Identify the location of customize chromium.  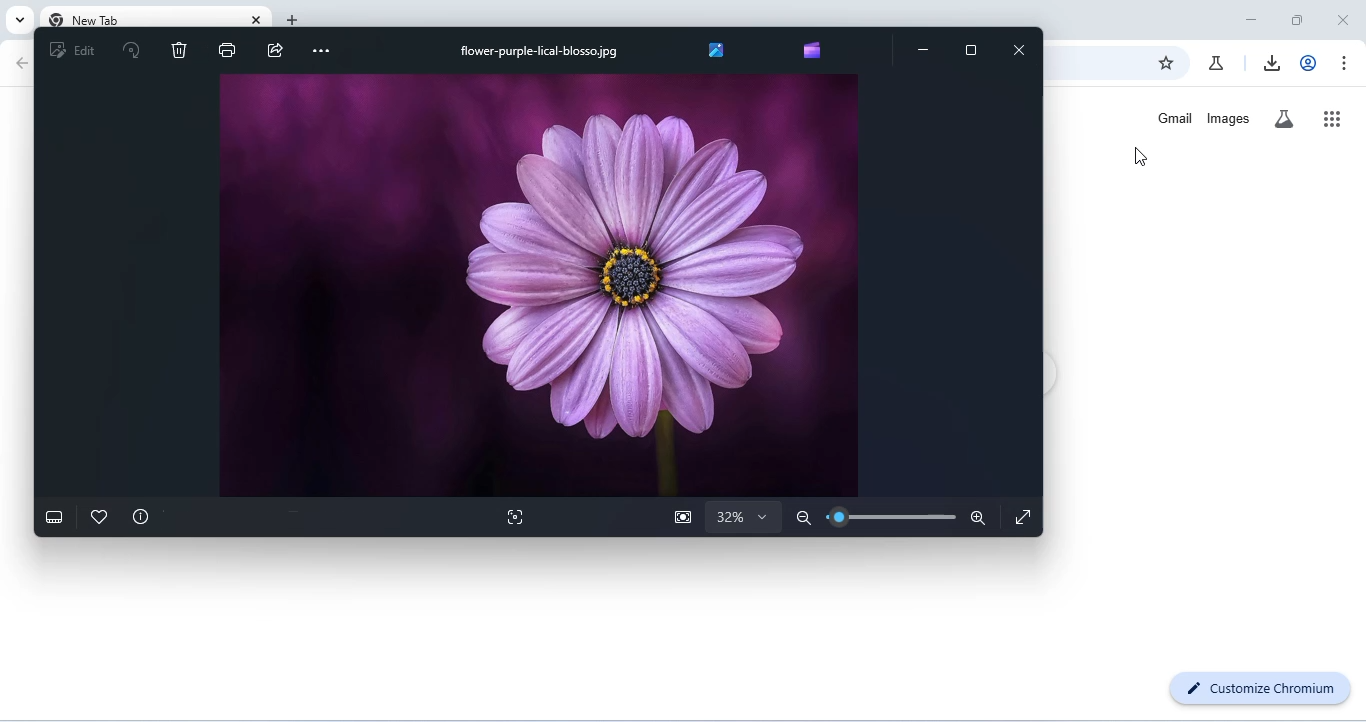
(1261, 685).